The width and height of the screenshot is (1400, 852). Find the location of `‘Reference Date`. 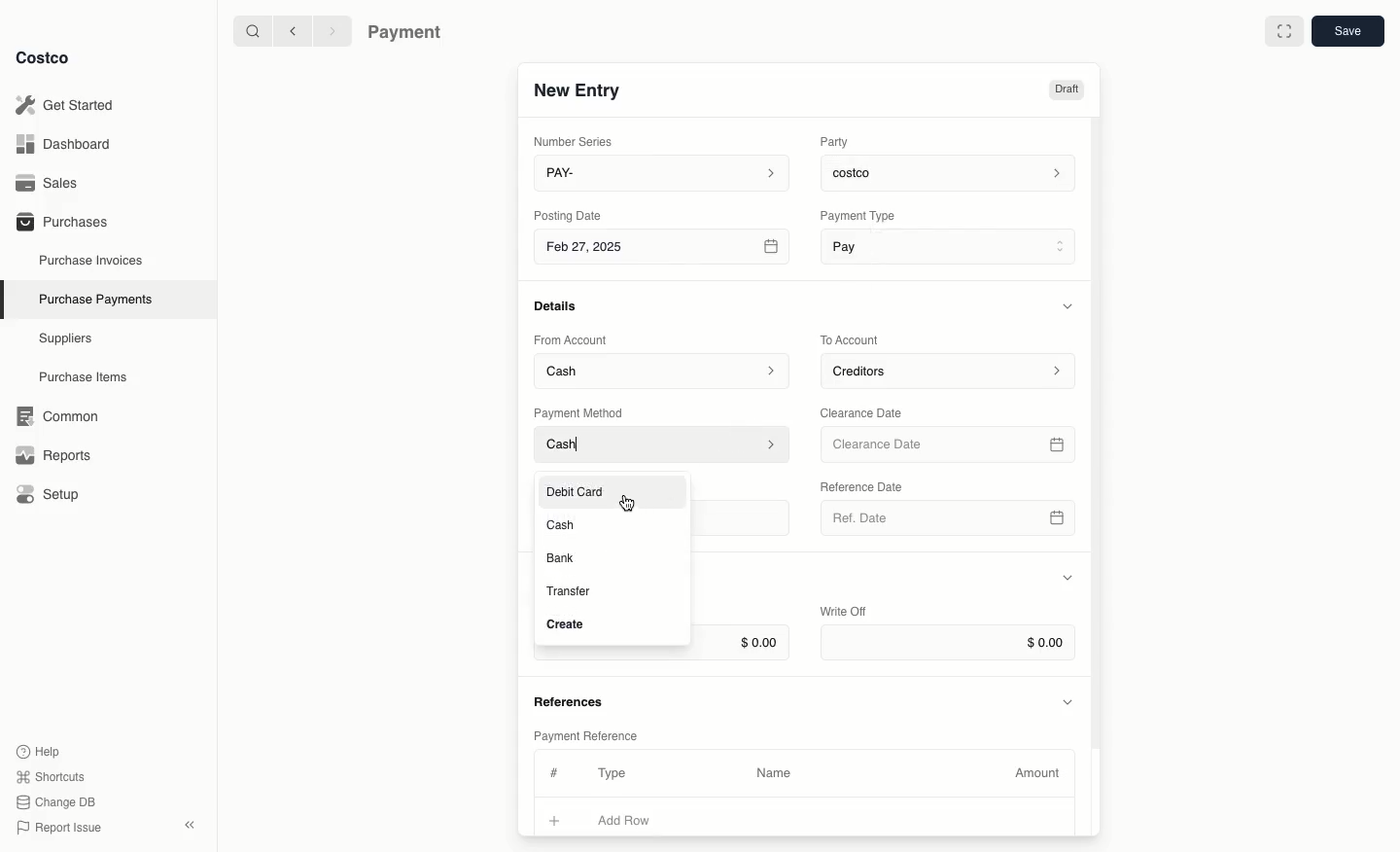

‘Reference Date is located at coordinates (863, 486).